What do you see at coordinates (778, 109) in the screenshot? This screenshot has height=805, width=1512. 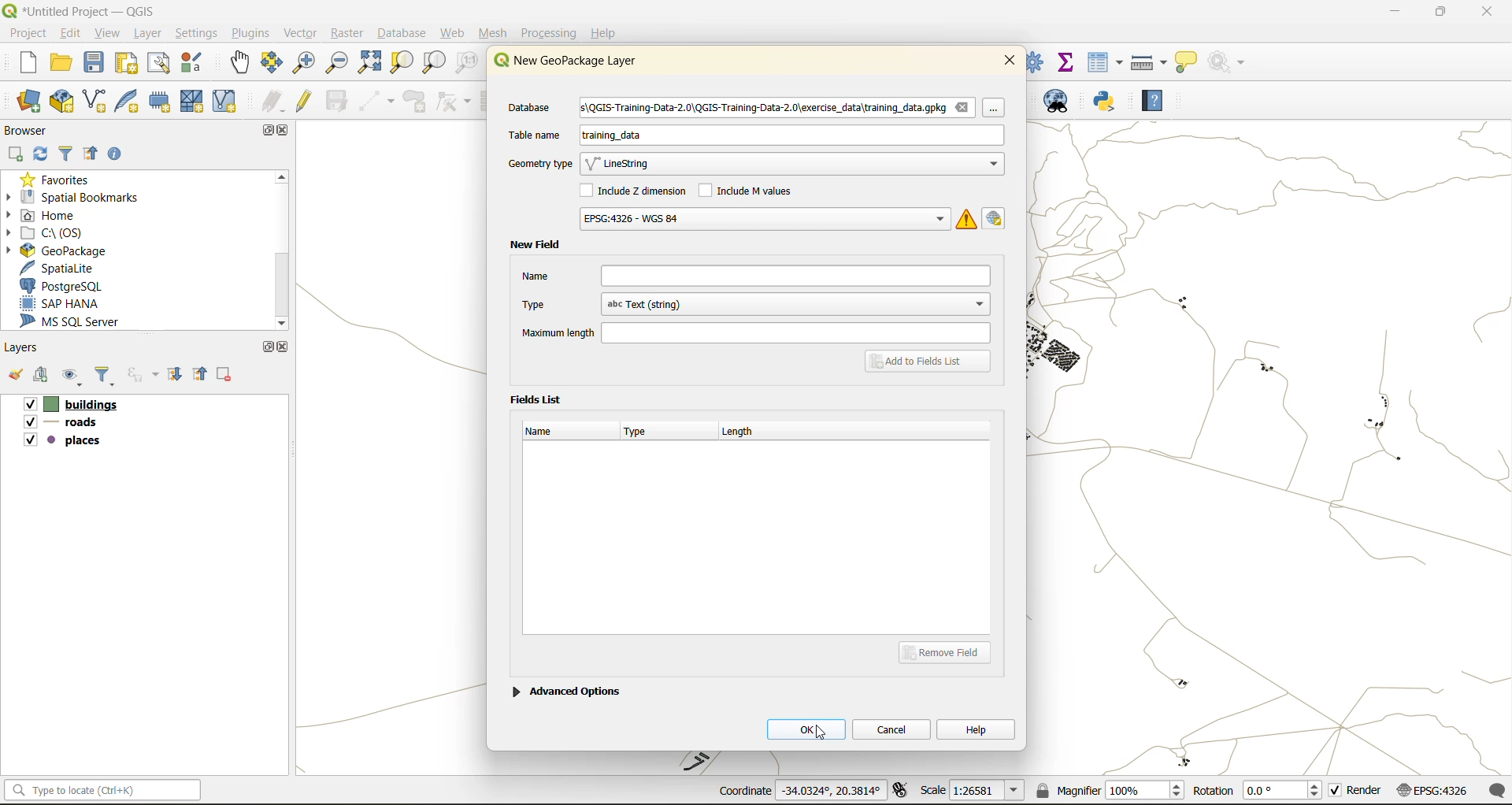 I see `database name and path` at bounding box center [778, 109].